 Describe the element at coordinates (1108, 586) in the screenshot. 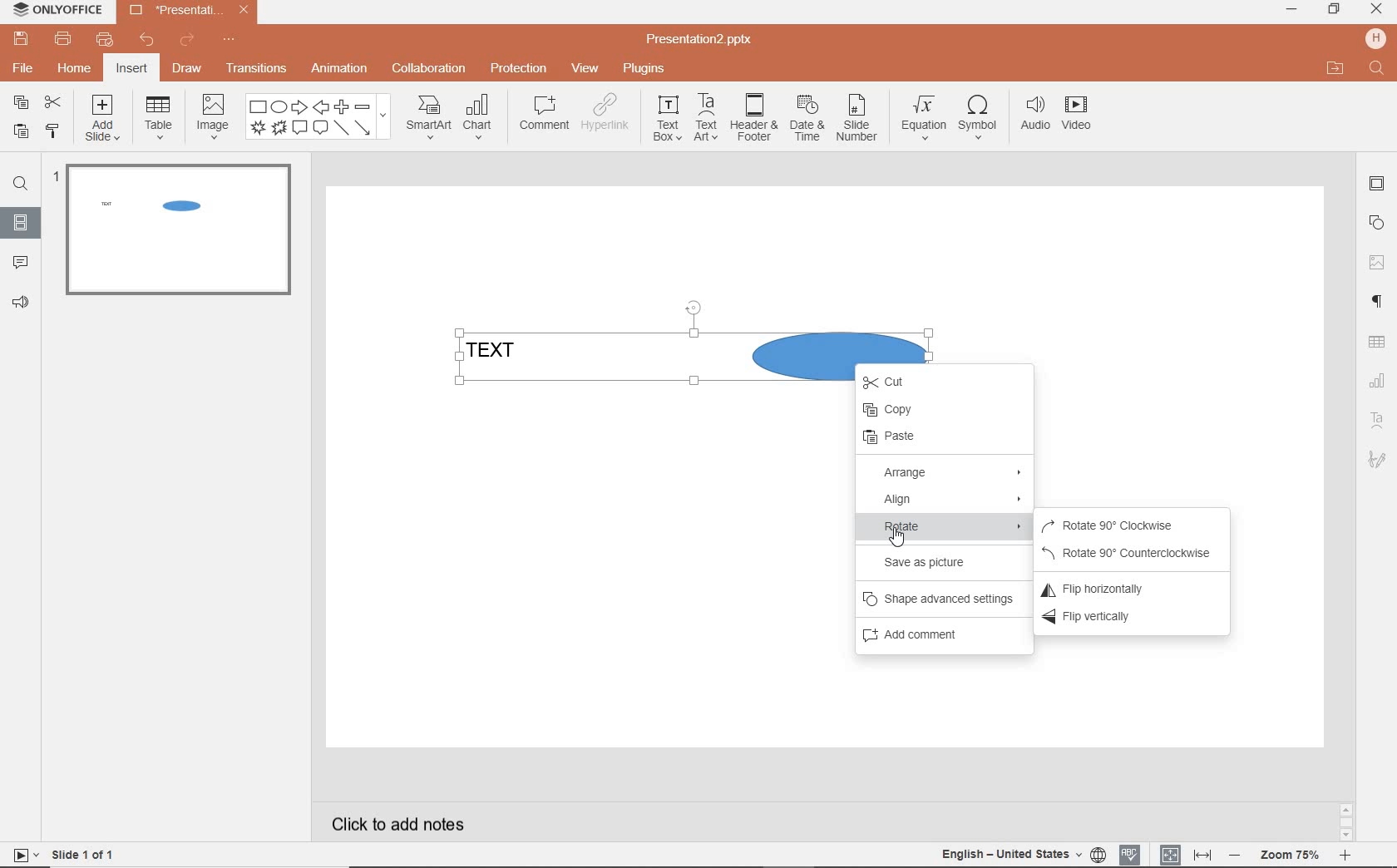

I see `FLIP HORIZONTALLY` at that location.